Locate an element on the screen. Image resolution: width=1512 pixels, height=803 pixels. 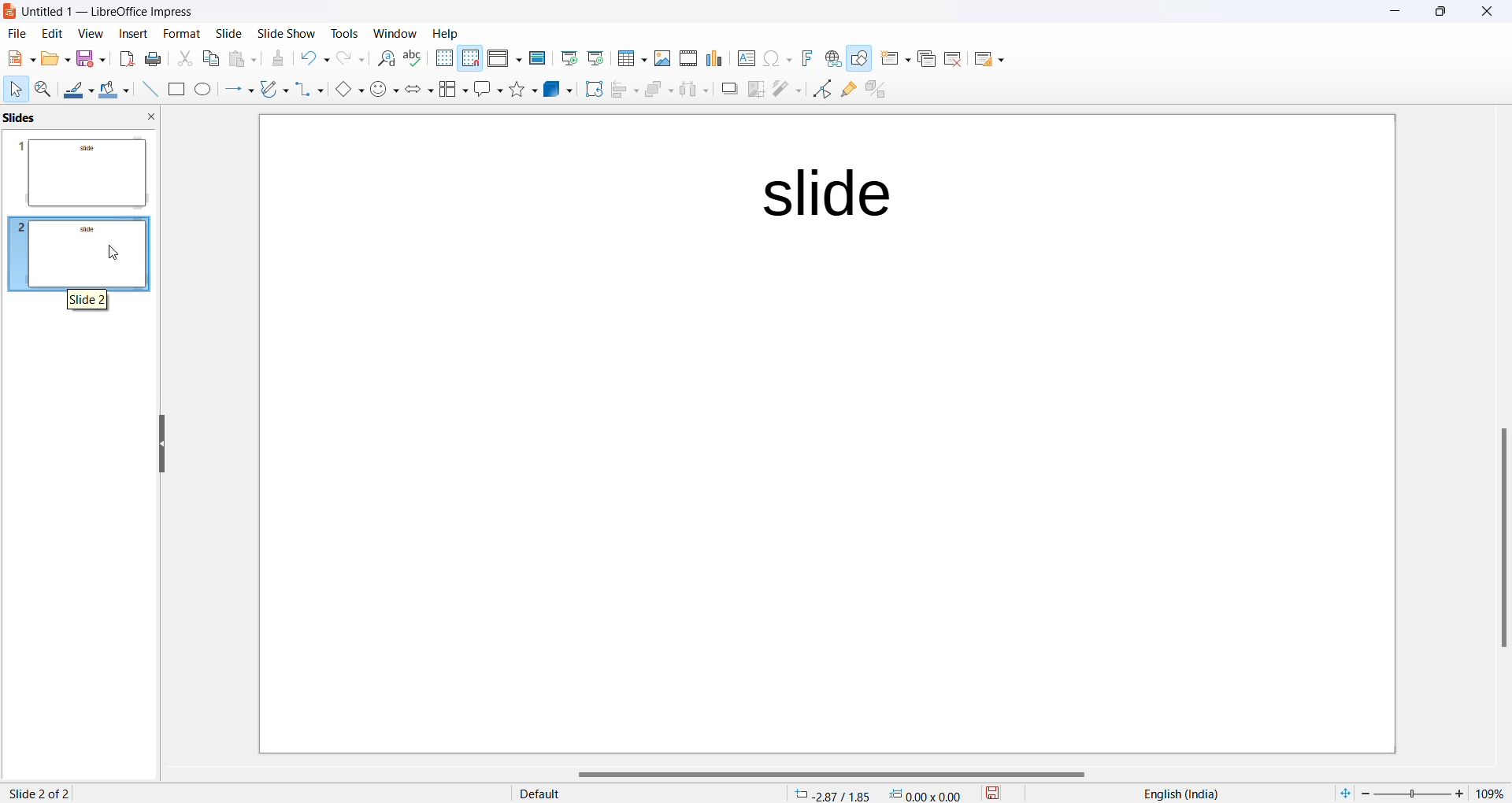
Cursor is located at coordinates (16, 89).